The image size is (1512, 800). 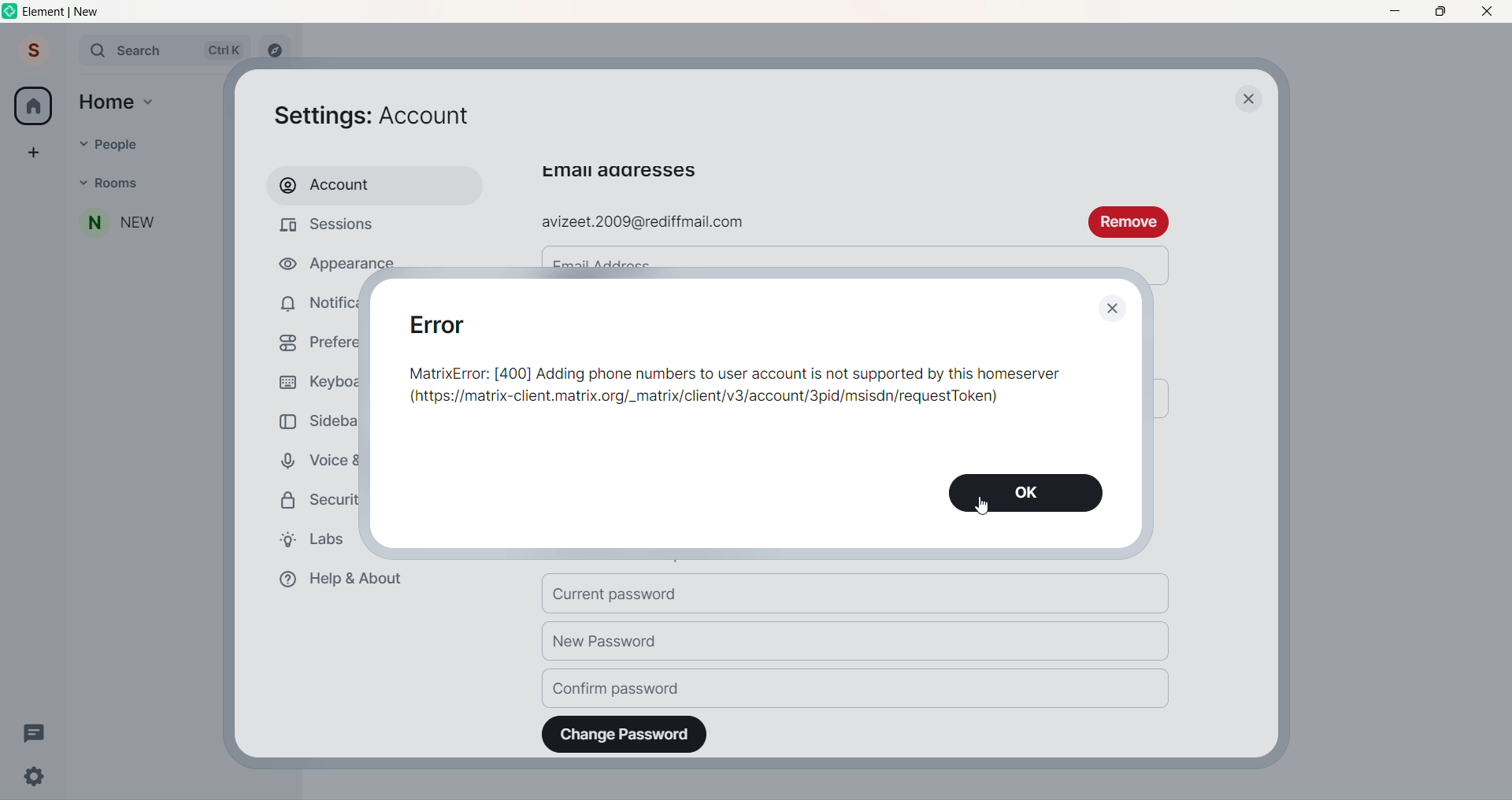 What do you see at coordinates (619, 171) in the screenshot?
I see `email adressess` at bounding box center [619, 171].